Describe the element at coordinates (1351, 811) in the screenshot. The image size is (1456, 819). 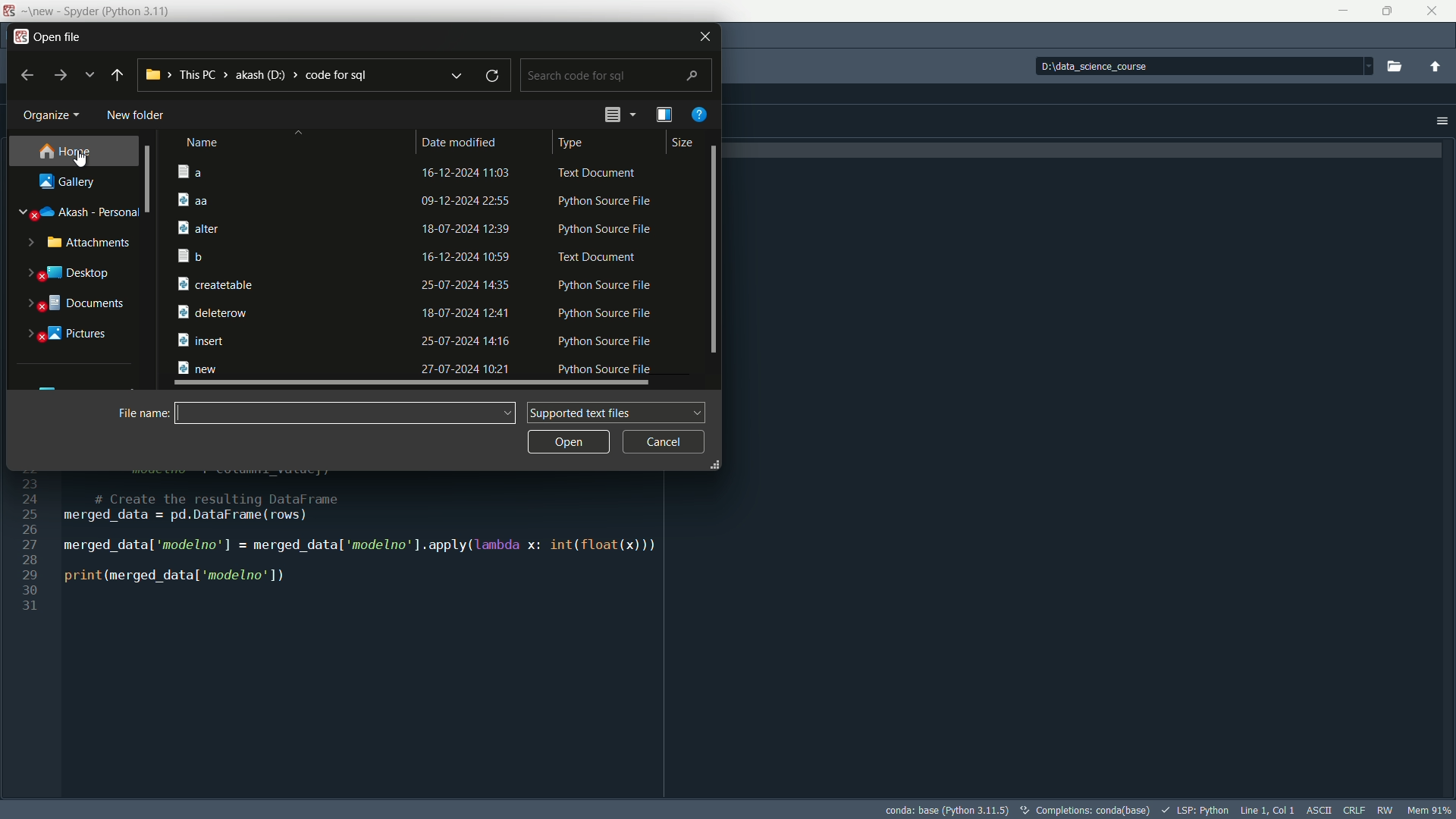
I see `file encoding` at that location.